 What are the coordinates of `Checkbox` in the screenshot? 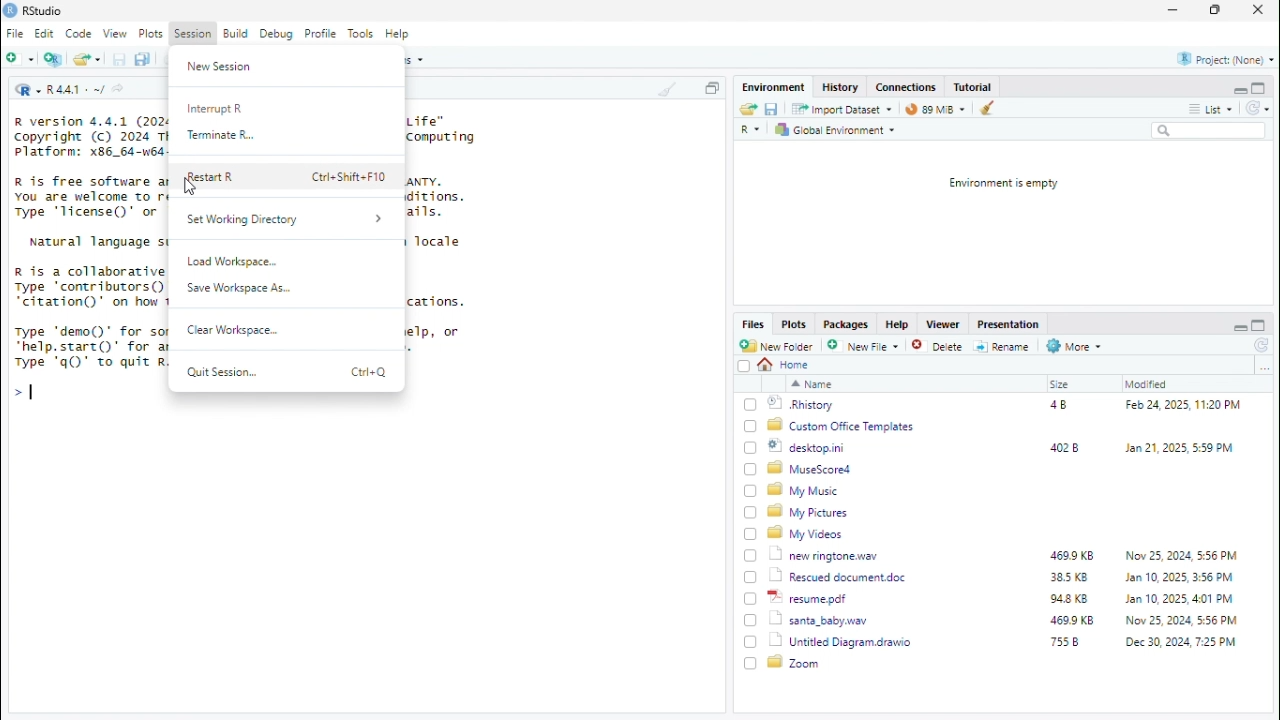 It's located at (744, 366).